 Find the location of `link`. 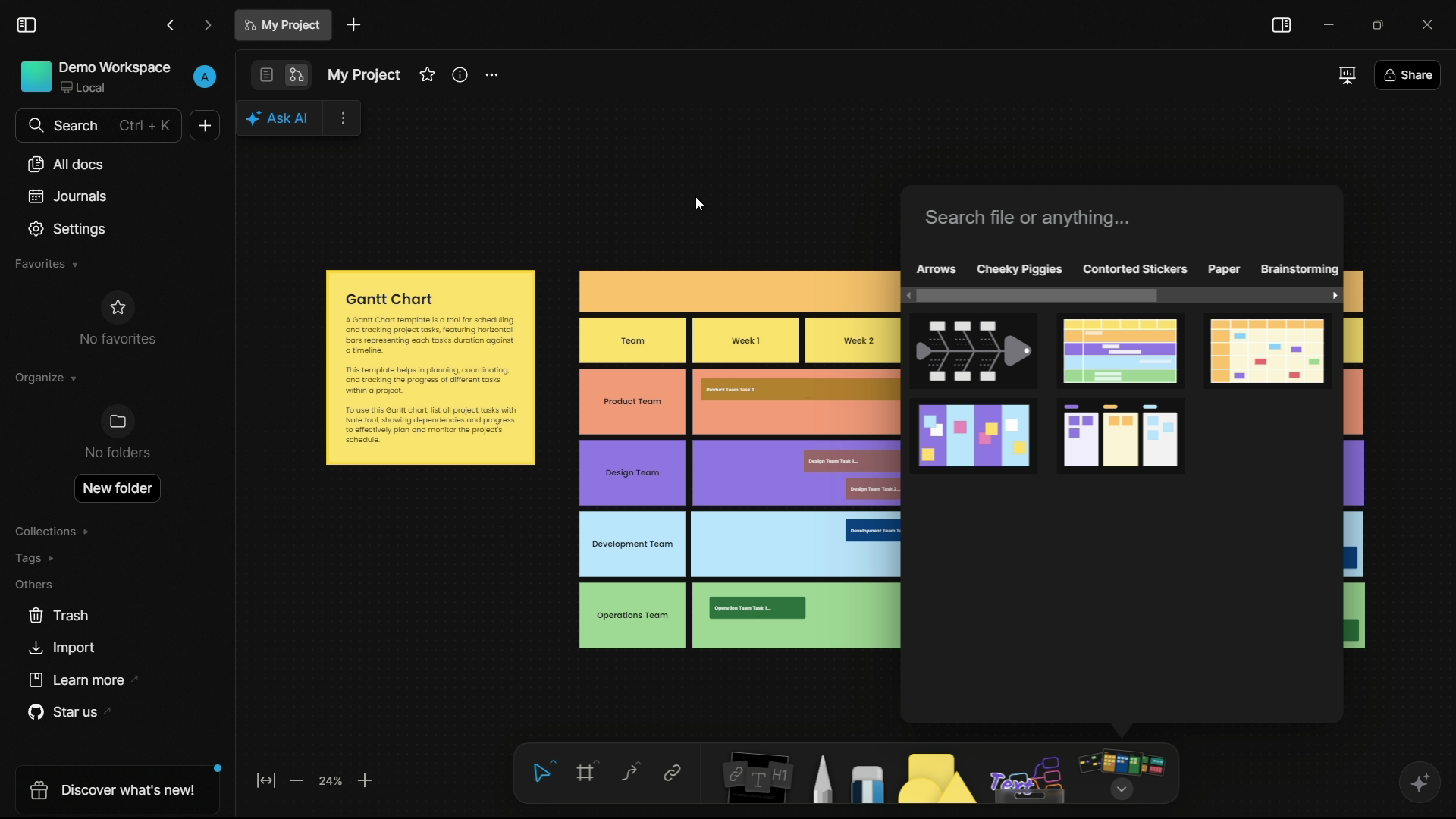

link is located at coordinates (672, 774).